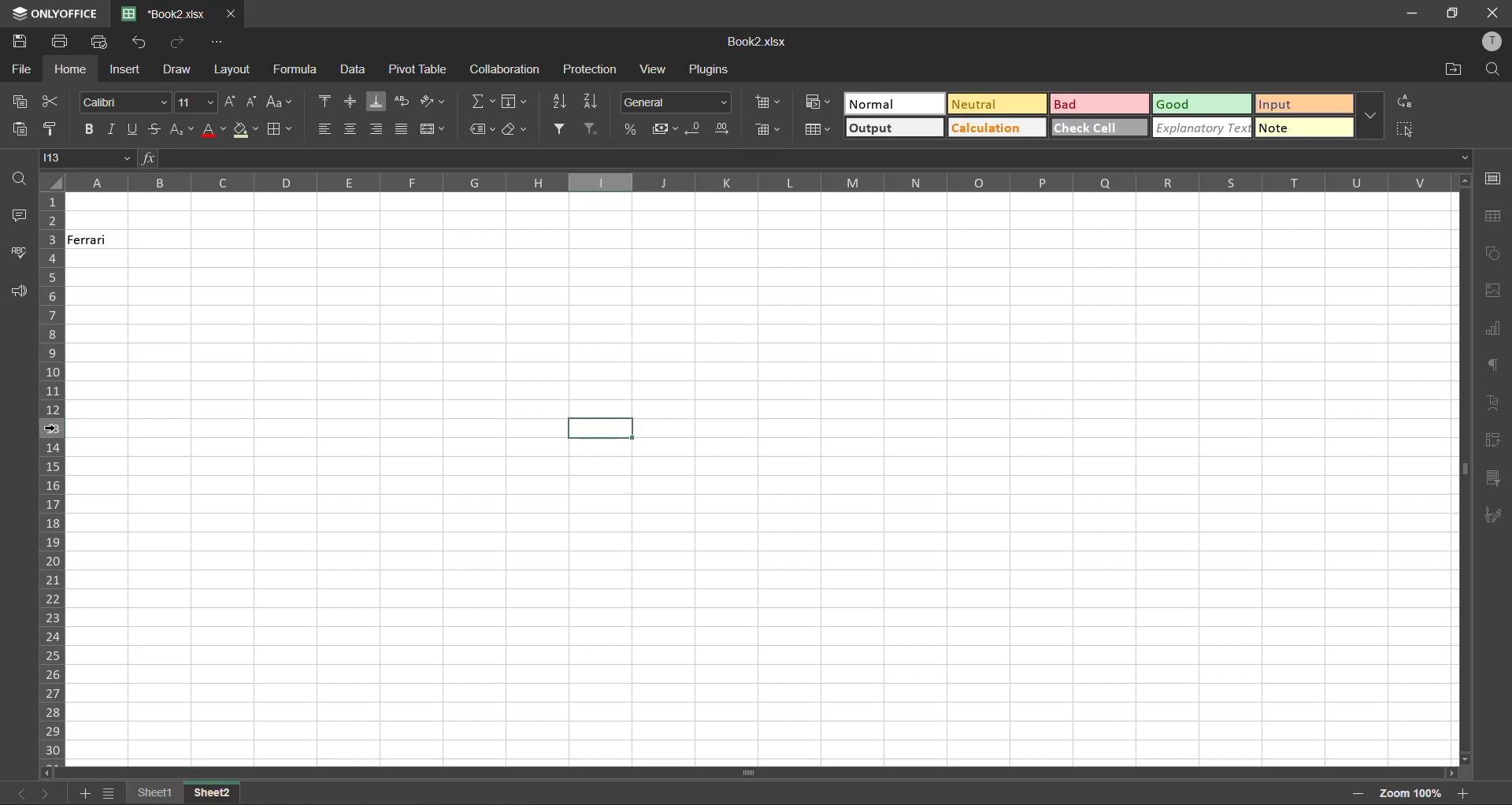  Describe the element at coordinates (1453, 72) in the screenshot. I see `open location` at that location.